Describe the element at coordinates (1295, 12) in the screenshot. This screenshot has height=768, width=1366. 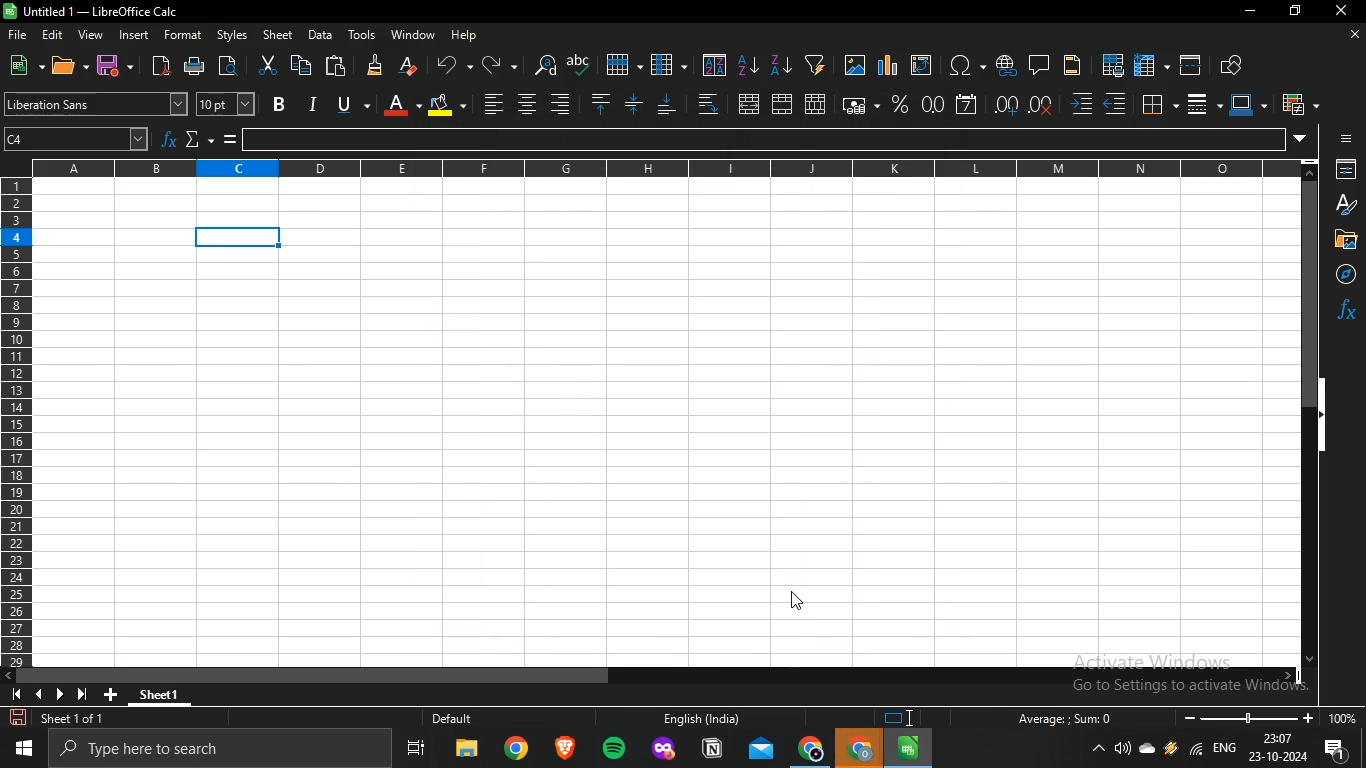
I see `restore down` at that location.